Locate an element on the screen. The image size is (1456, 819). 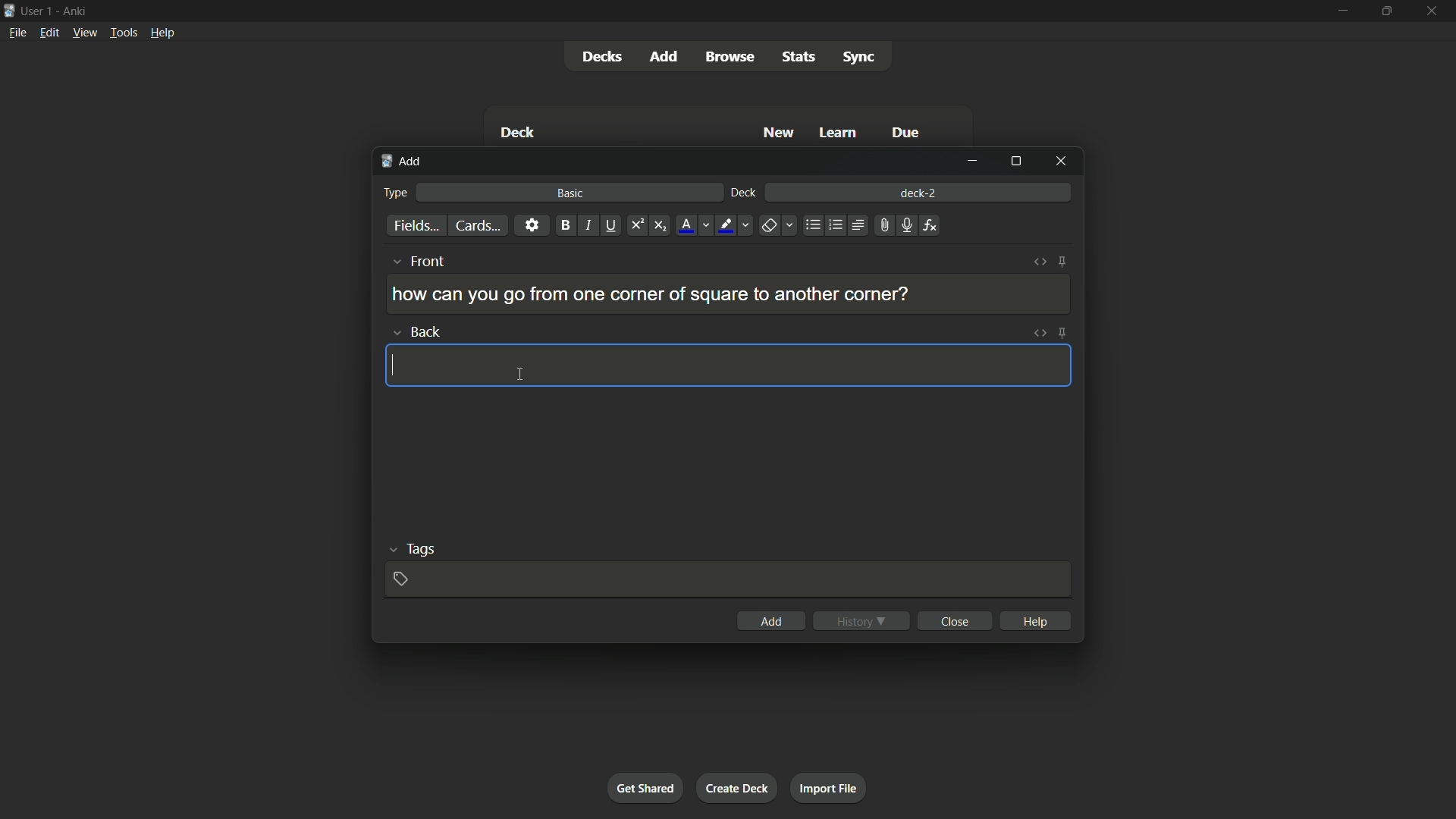
front is located at coordinates (416, 261).